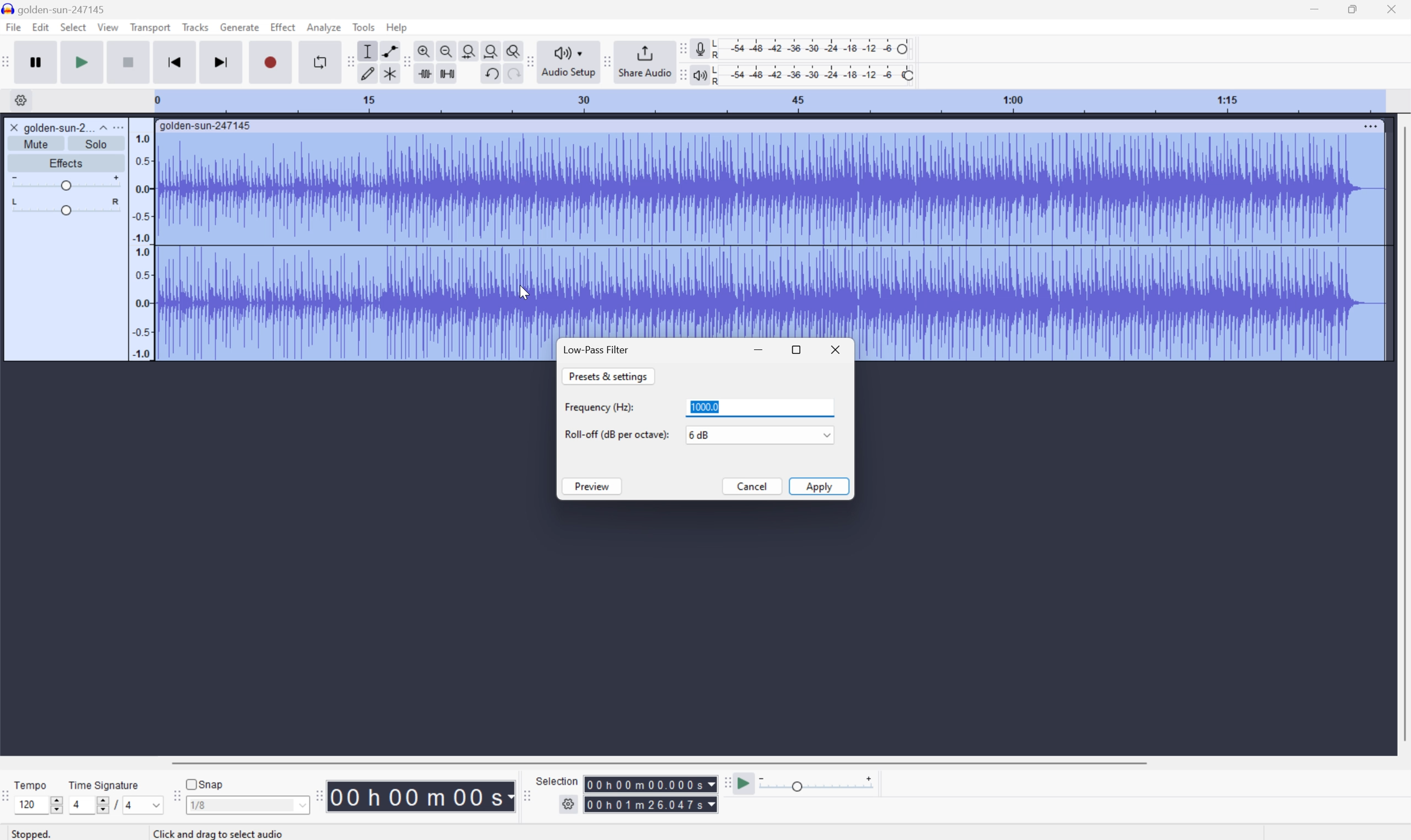 This screenshot has height=840, width=1411. I want to click on Drop Down, so click(825, 434).